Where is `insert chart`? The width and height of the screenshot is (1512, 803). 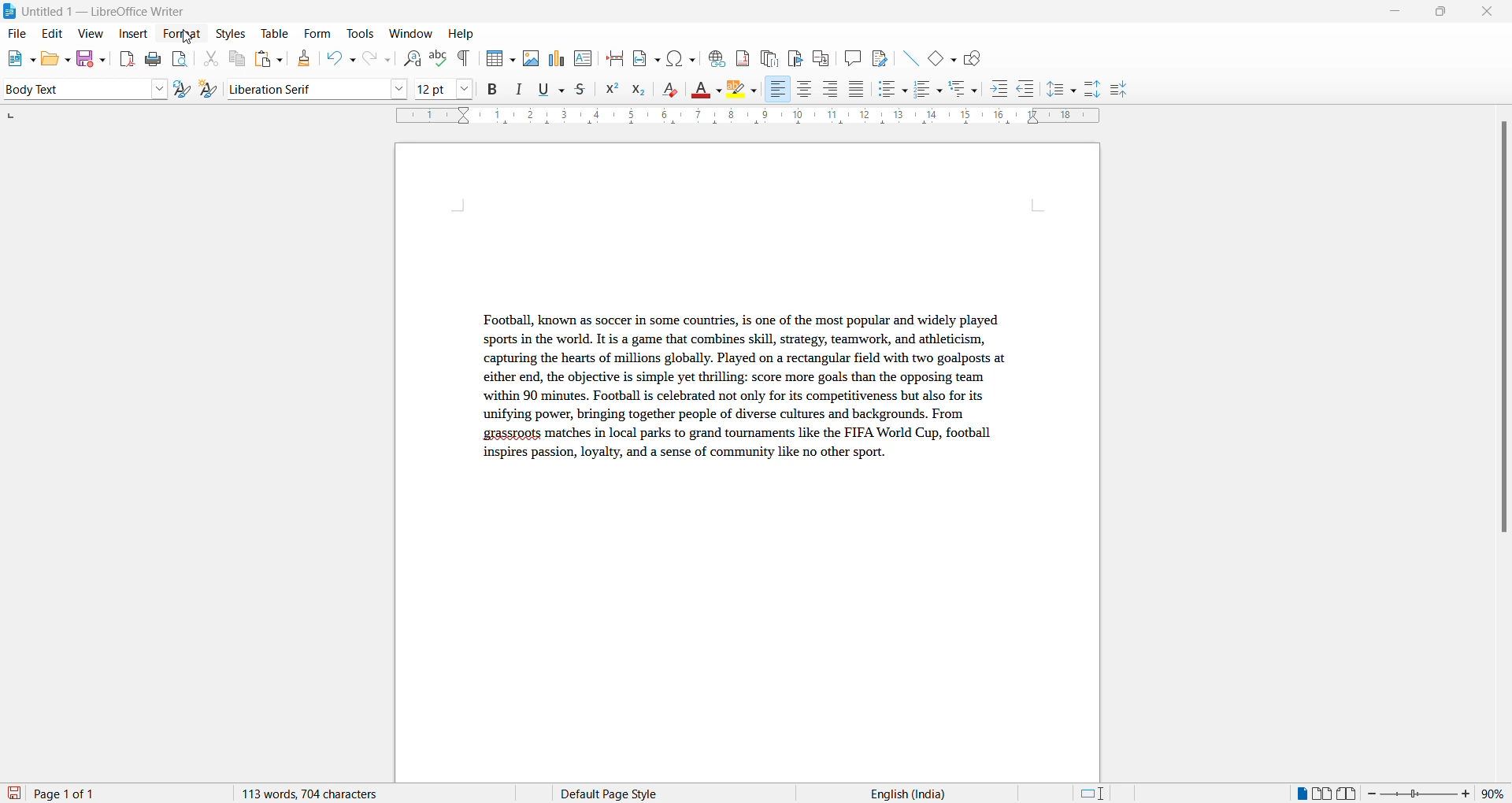
insert chart is located at coordinates (556, 60).